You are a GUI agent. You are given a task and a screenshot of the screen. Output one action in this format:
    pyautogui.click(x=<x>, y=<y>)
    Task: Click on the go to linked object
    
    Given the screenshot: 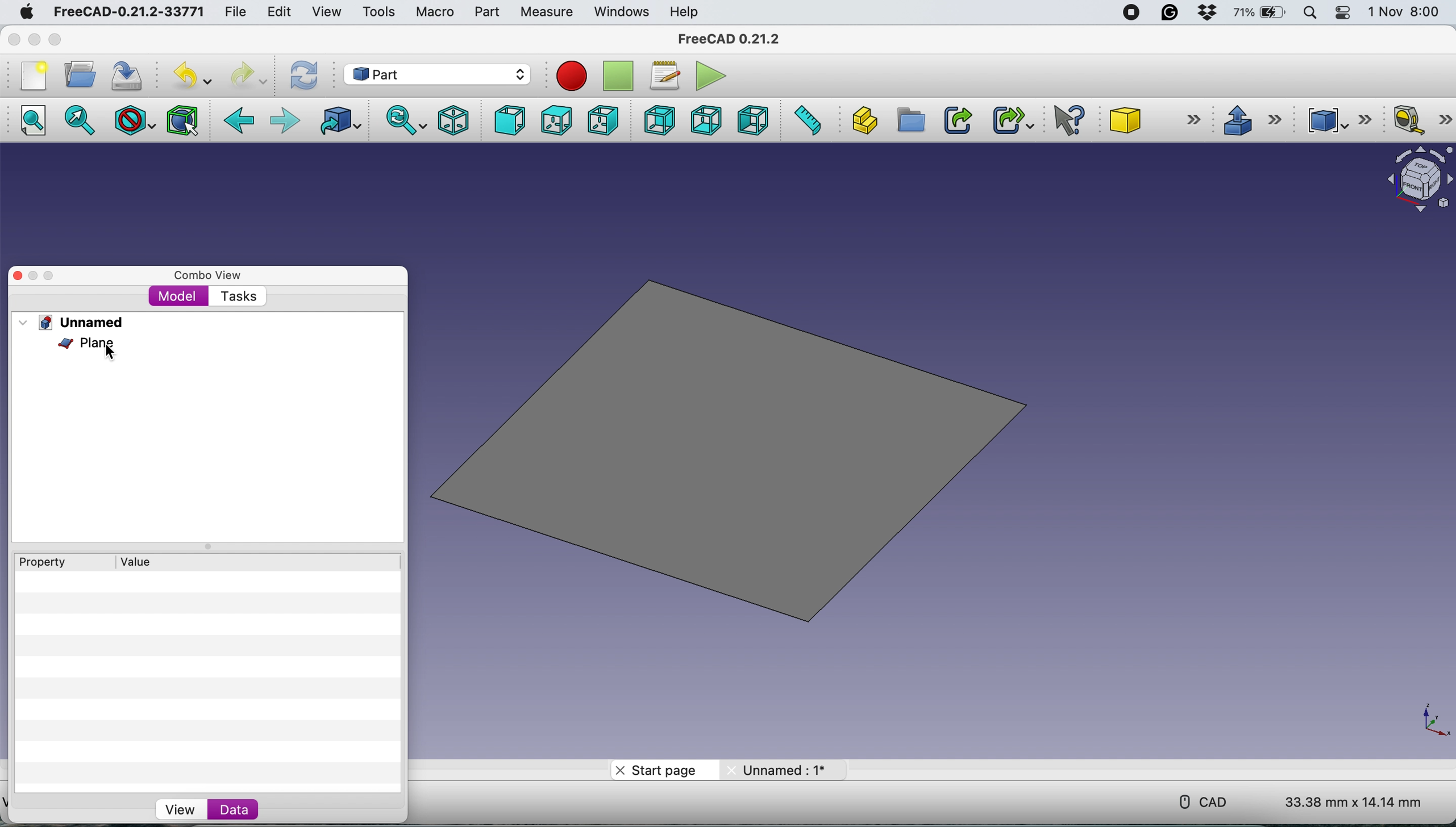 What is the action you would take?
    pyautogui.click(x=337, y=121)
    